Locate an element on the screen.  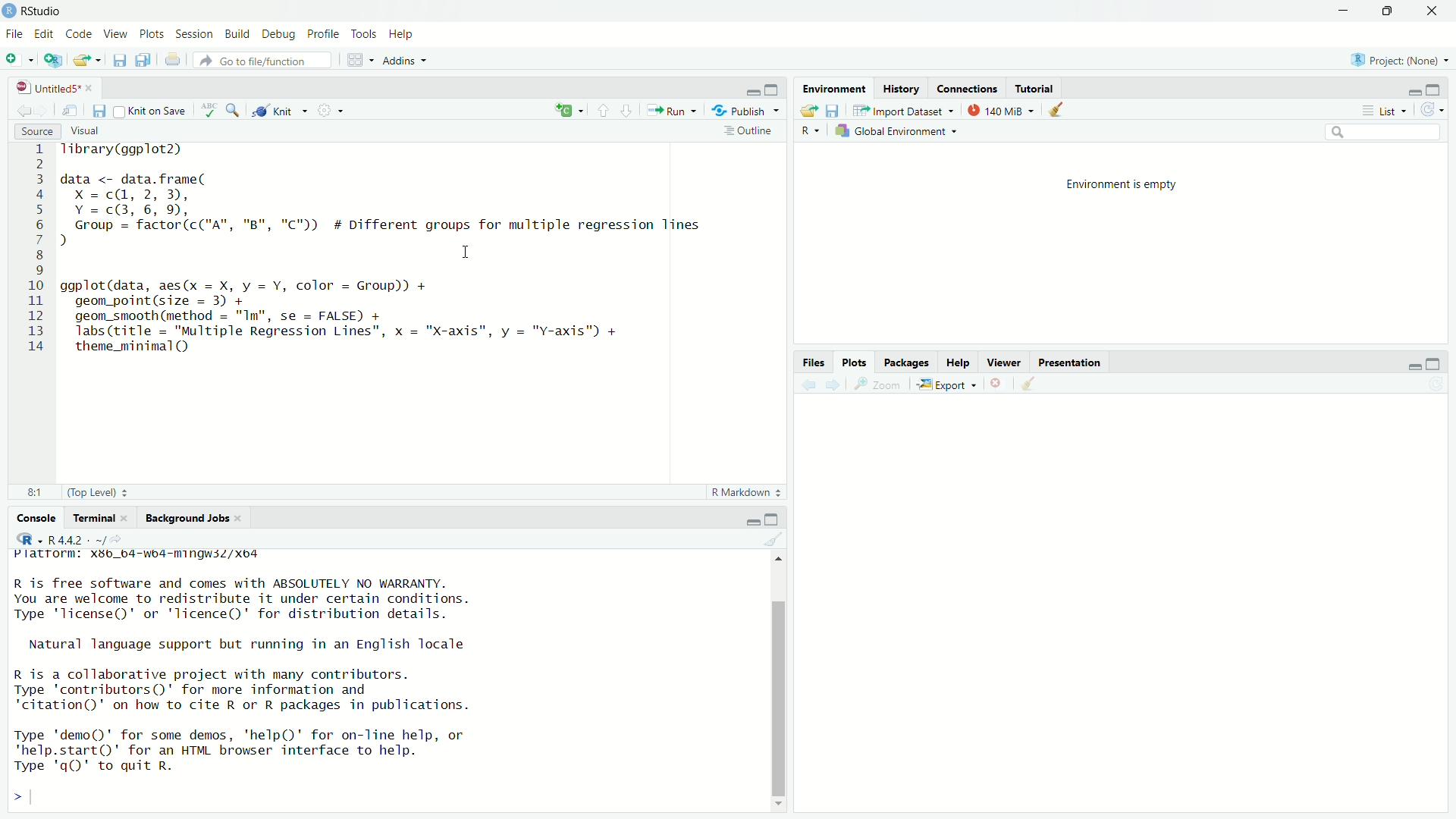
minimise is located at coordinates (742, 520).